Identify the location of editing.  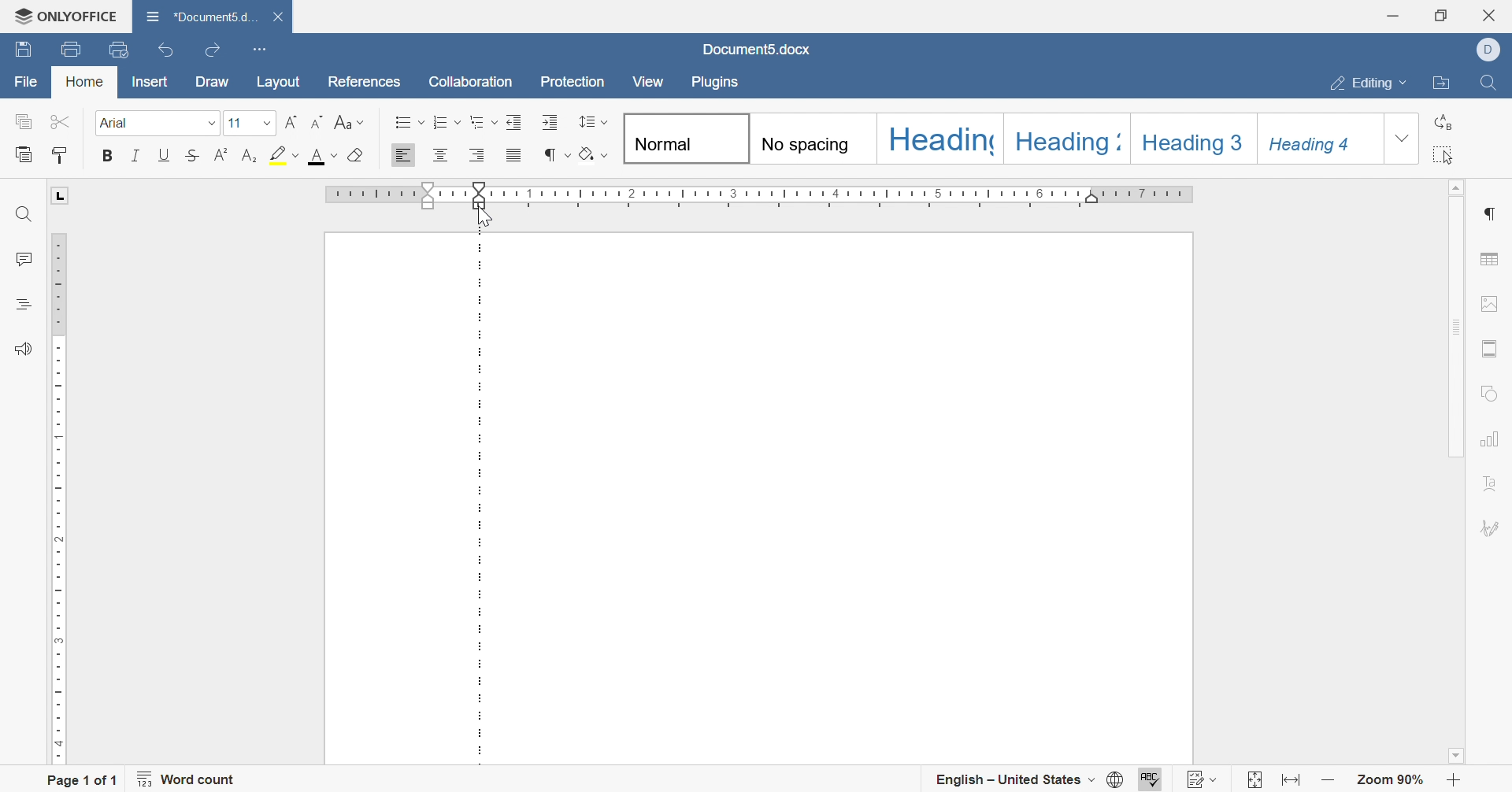
(1368, 83).